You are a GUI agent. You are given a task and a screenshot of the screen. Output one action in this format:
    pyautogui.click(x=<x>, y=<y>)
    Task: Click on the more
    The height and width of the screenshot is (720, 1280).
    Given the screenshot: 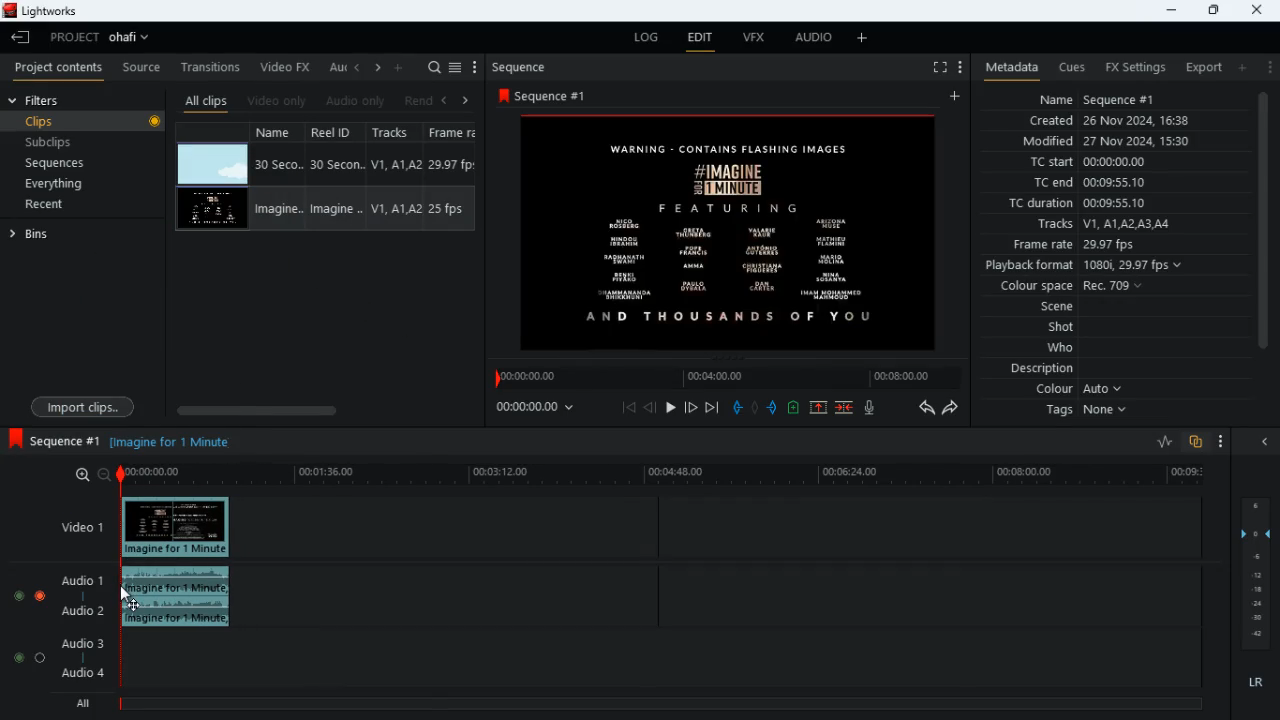 What is the action you would take?
    pyautogui.click(x=1222, y=443)
    